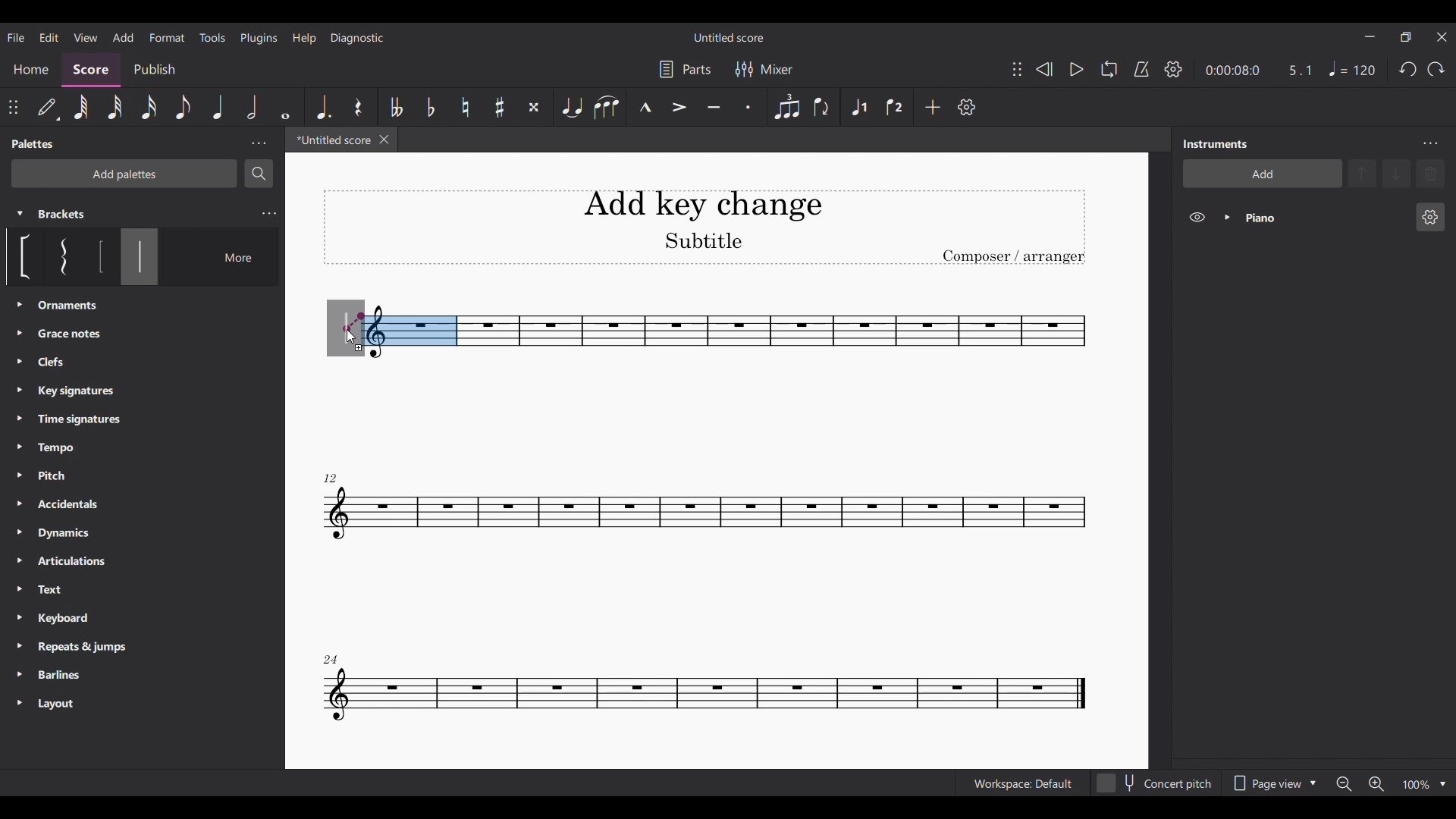 This screenshot has height=819, width=1456. What do you see at coordinates (1417, 786) in the screenshot?
I see `Zoom factor` at bounding box center [1417, 786].